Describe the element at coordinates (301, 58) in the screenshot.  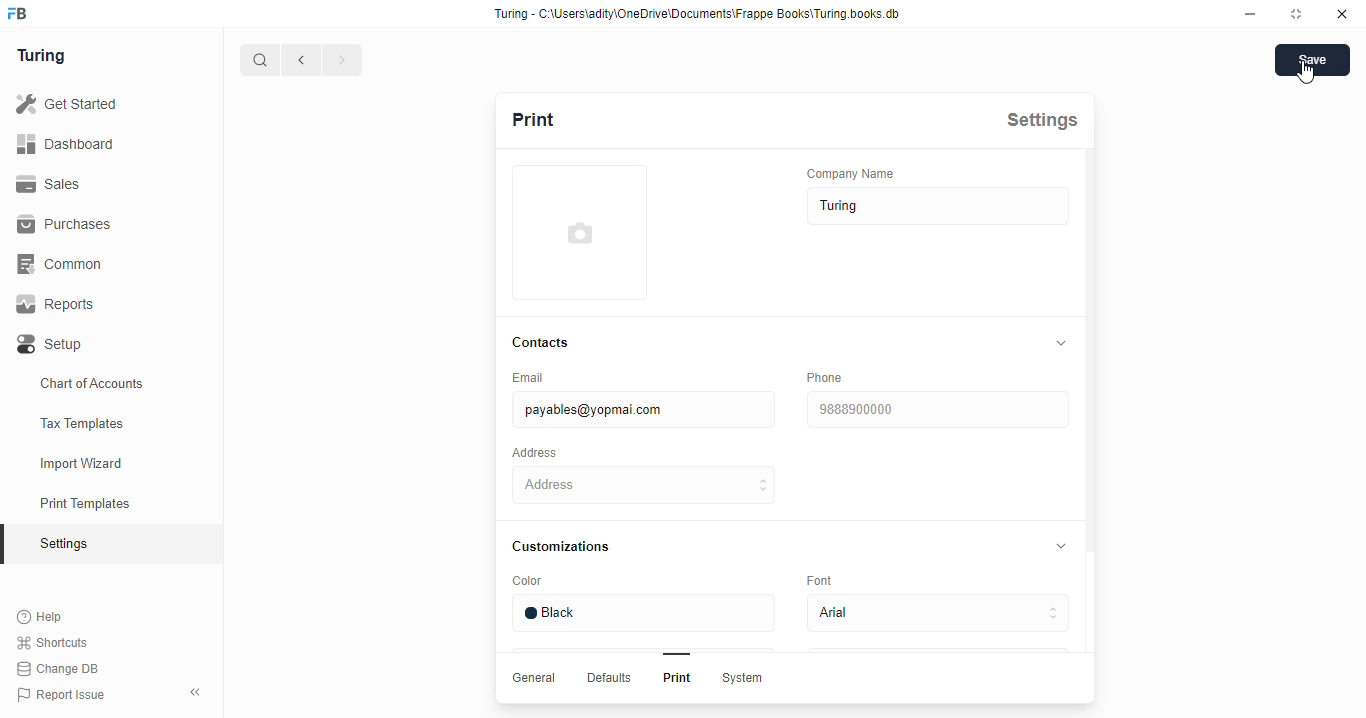
I see `go back` at that location.